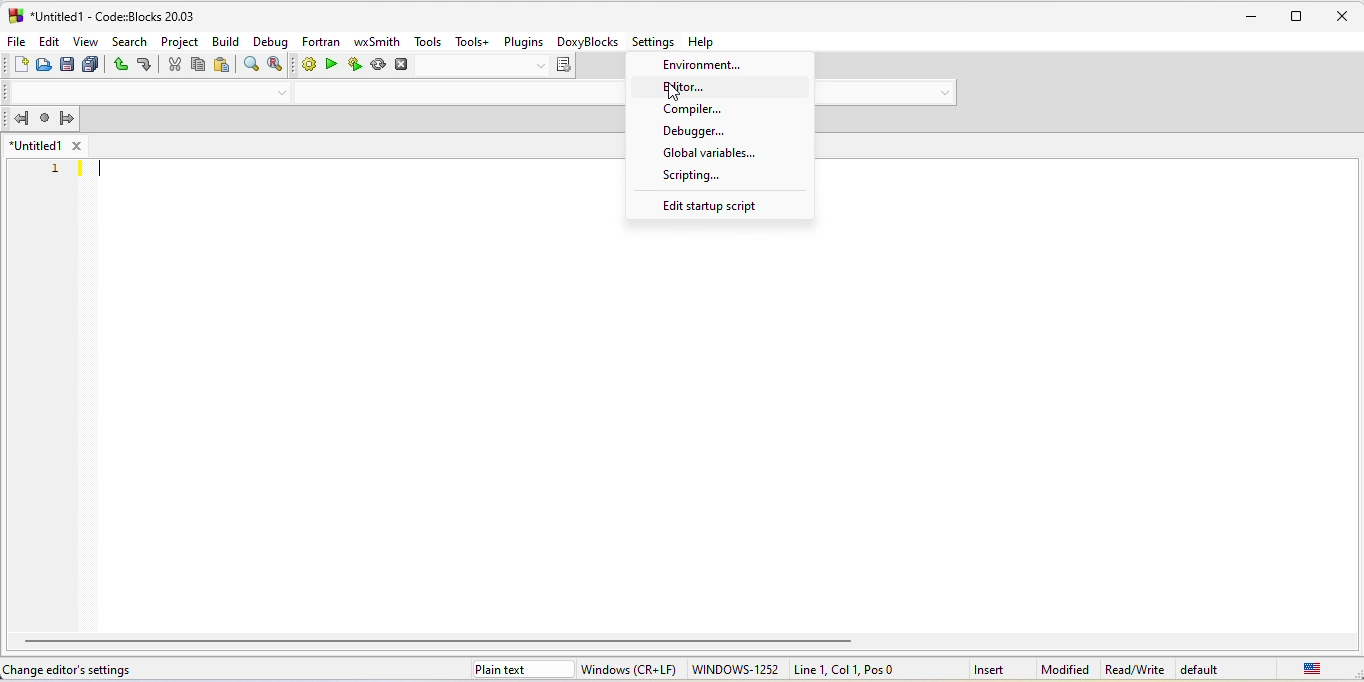 The image size is (1364, 682). I want to click on untitled 1, so click(35, 145).